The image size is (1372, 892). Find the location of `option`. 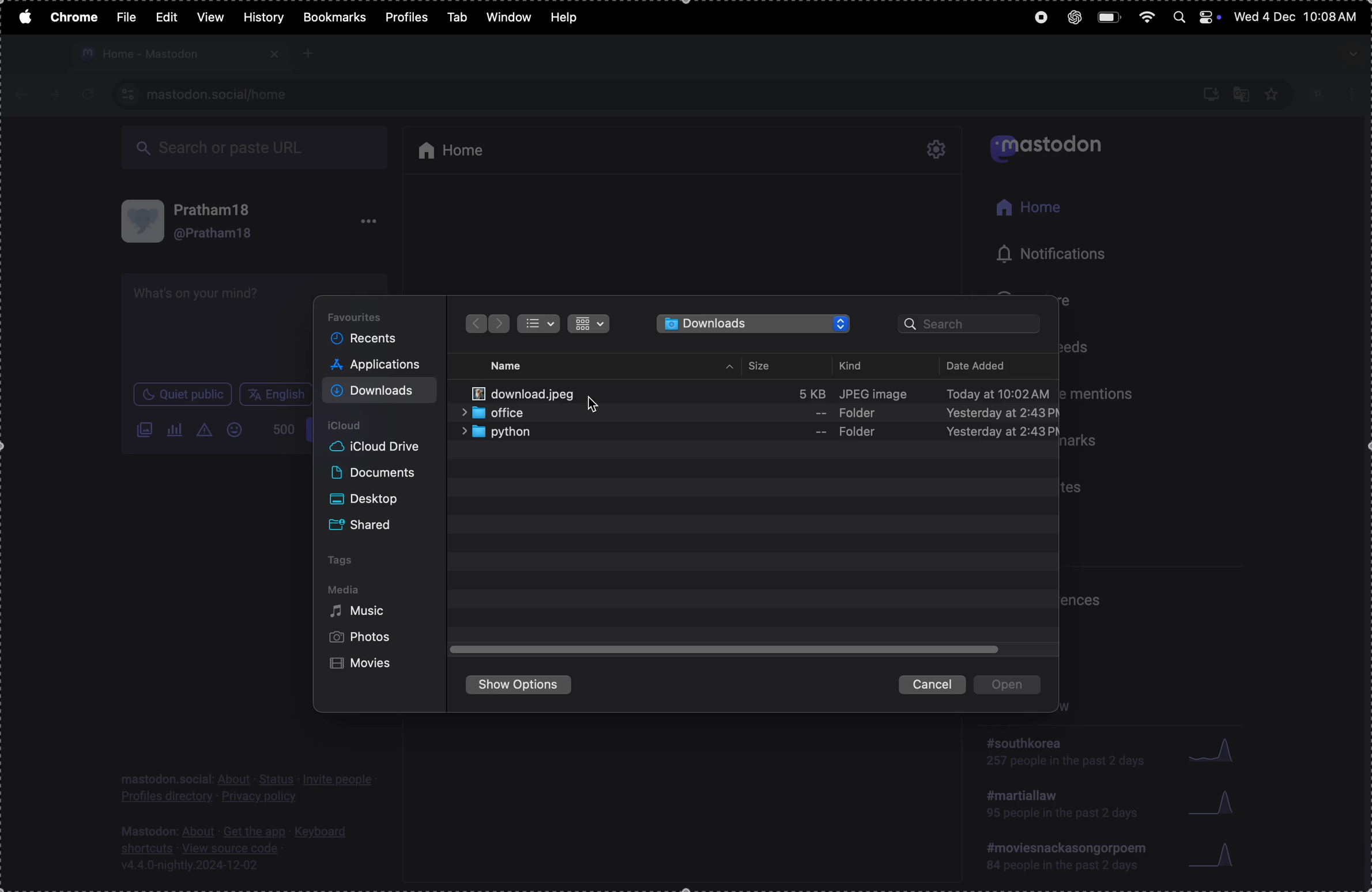

option is located at coordinates (369, 224).